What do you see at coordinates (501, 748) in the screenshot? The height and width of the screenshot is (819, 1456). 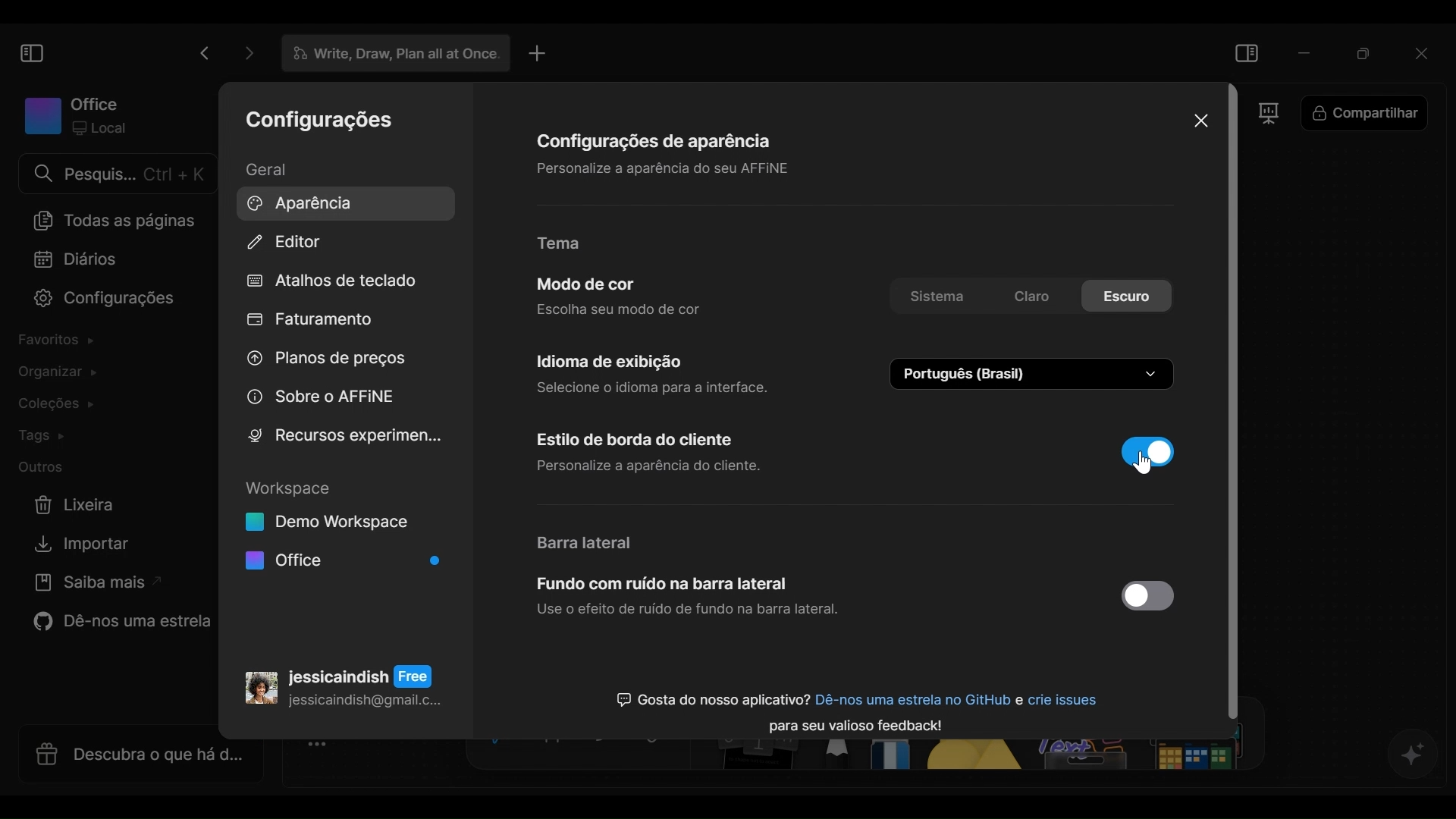 I see `Select` at bounding box center [501, 748].